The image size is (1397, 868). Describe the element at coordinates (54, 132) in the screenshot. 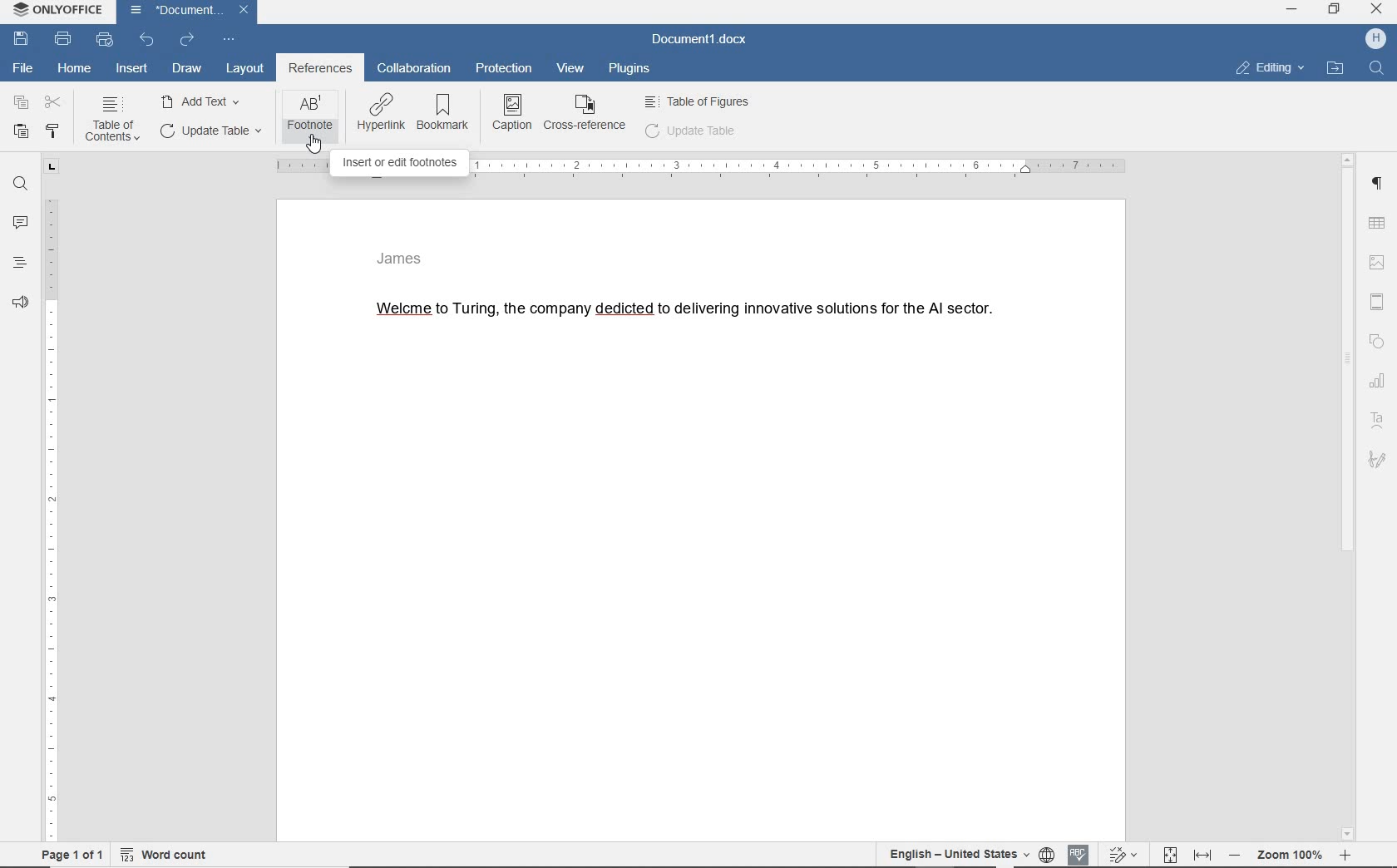

I see `copy style` at that location.